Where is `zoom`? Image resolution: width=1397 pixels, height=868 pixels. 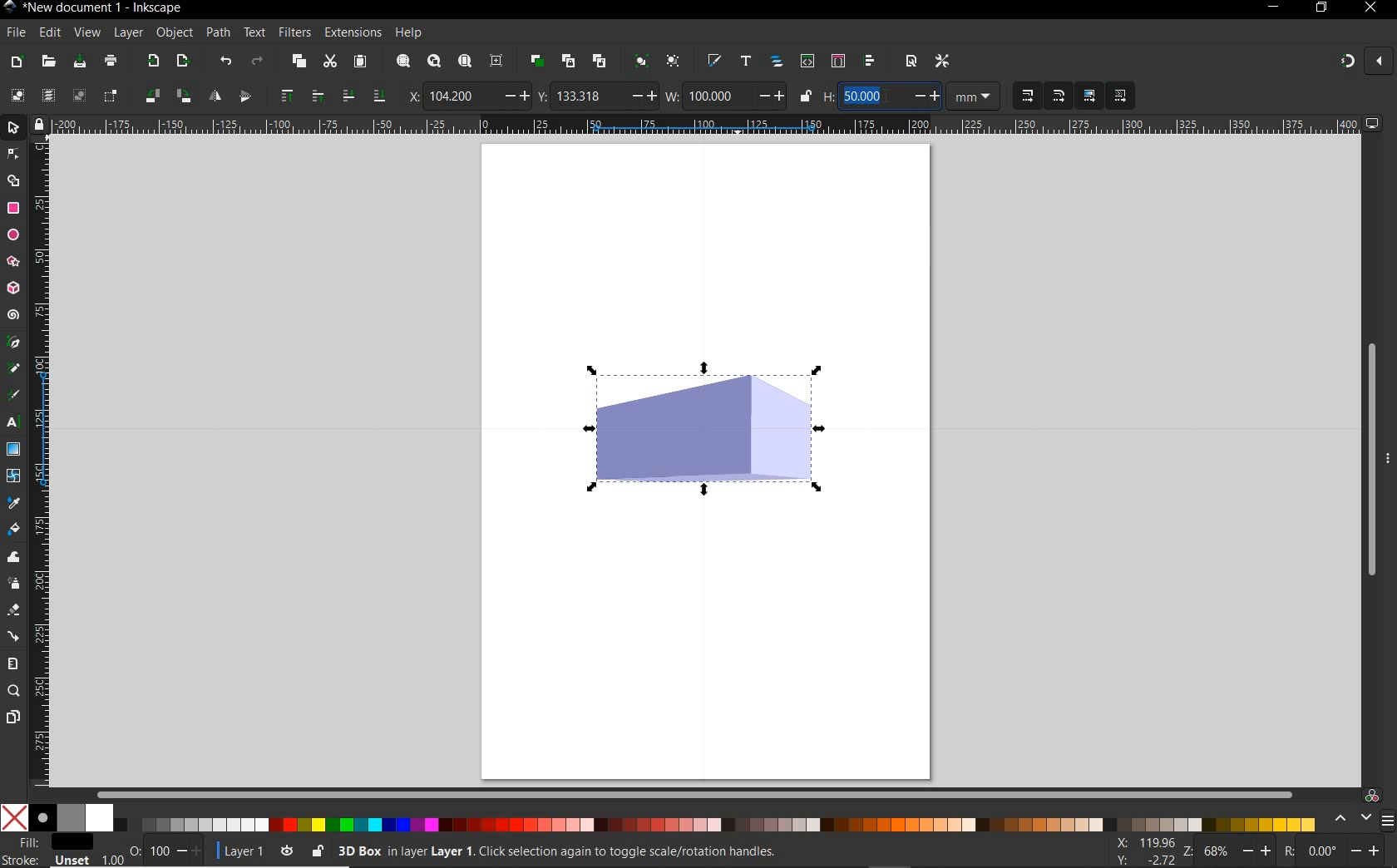
zoom is located at coordinates (1187, 852).